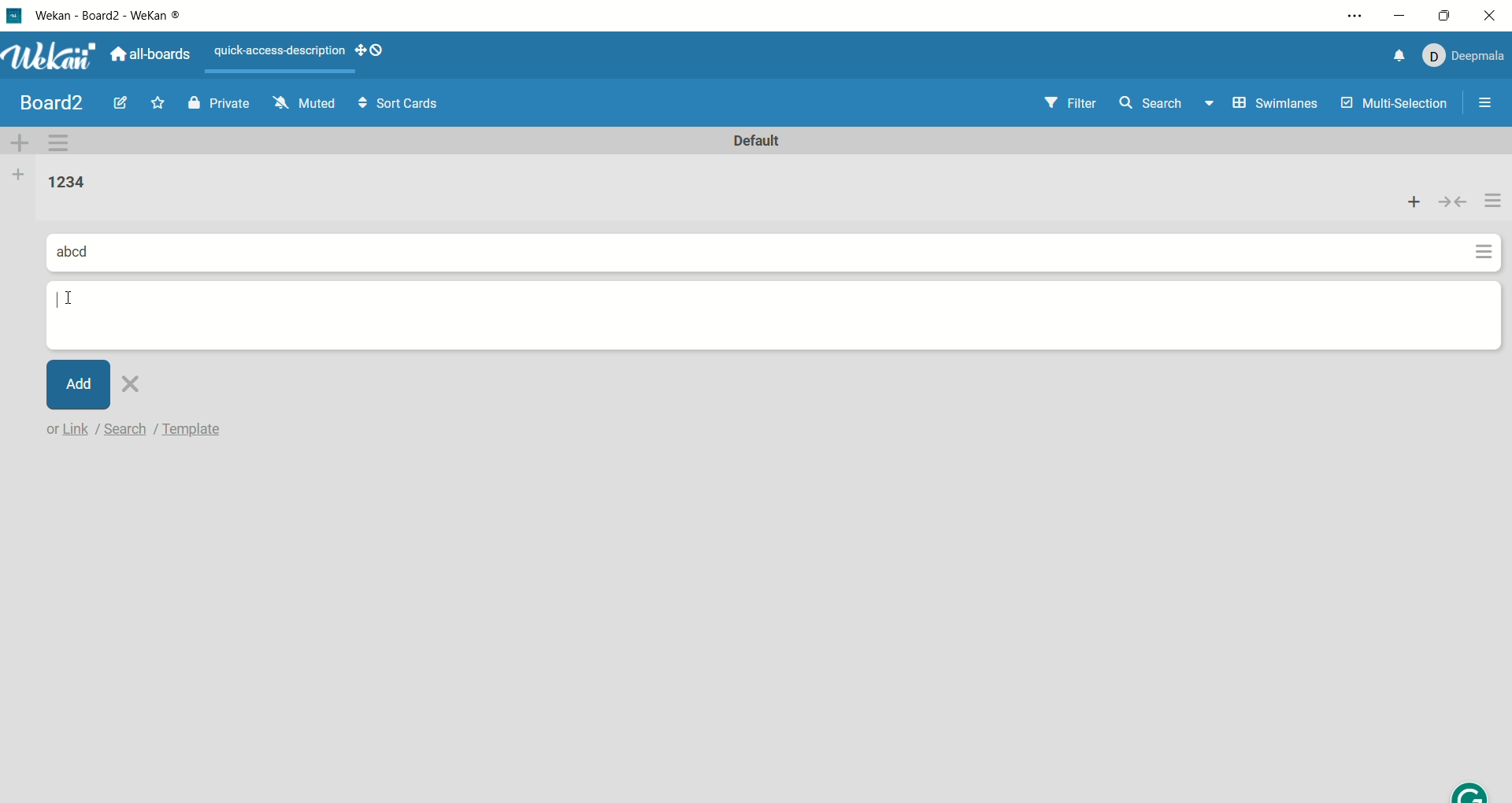 Image resolution: width=1512 pixels, height=803 pixels. I want to click on text, so click(136, 431).